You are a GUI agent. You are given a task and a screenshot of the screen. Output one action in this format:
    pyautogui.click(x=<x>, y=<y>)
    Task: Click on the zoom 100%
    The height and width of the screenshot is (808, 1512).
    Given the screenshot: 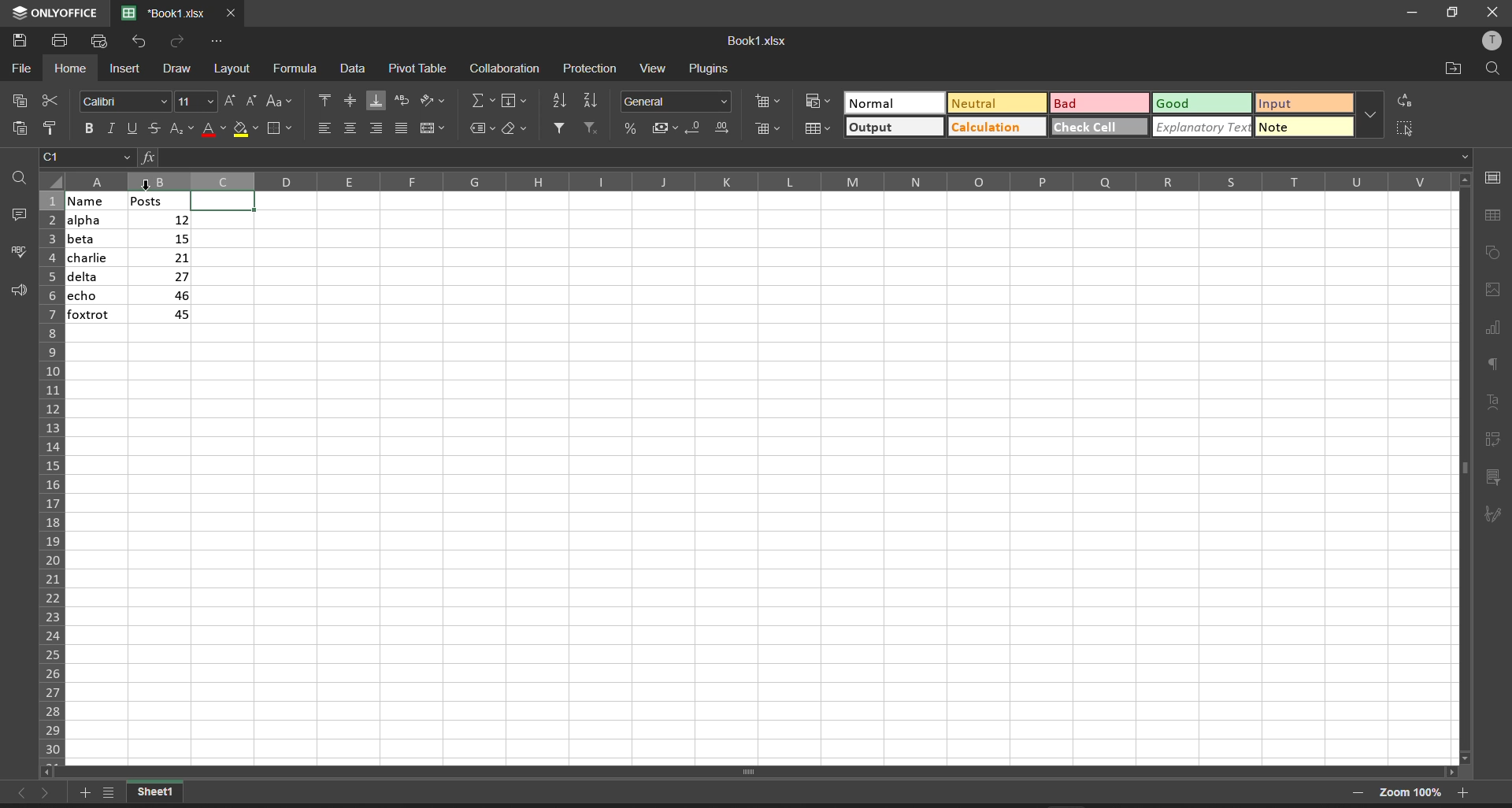 What is the action you would take?
    pyautogui.click(x=1417, y=792)
    